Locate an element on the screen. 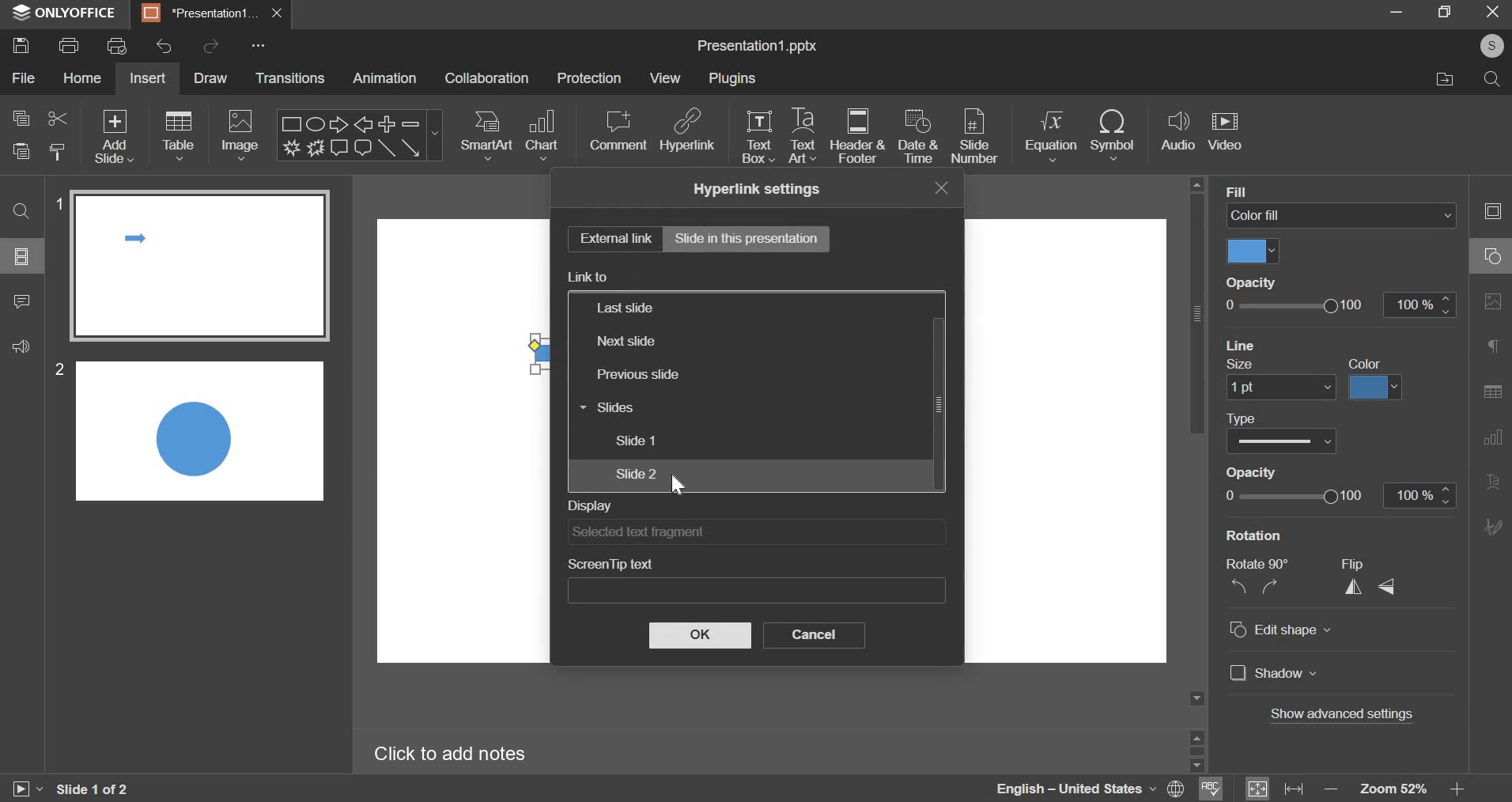 The image size is (1512, 802). opacity slider from 0 to 100 is located at coordinates (1341, 306).